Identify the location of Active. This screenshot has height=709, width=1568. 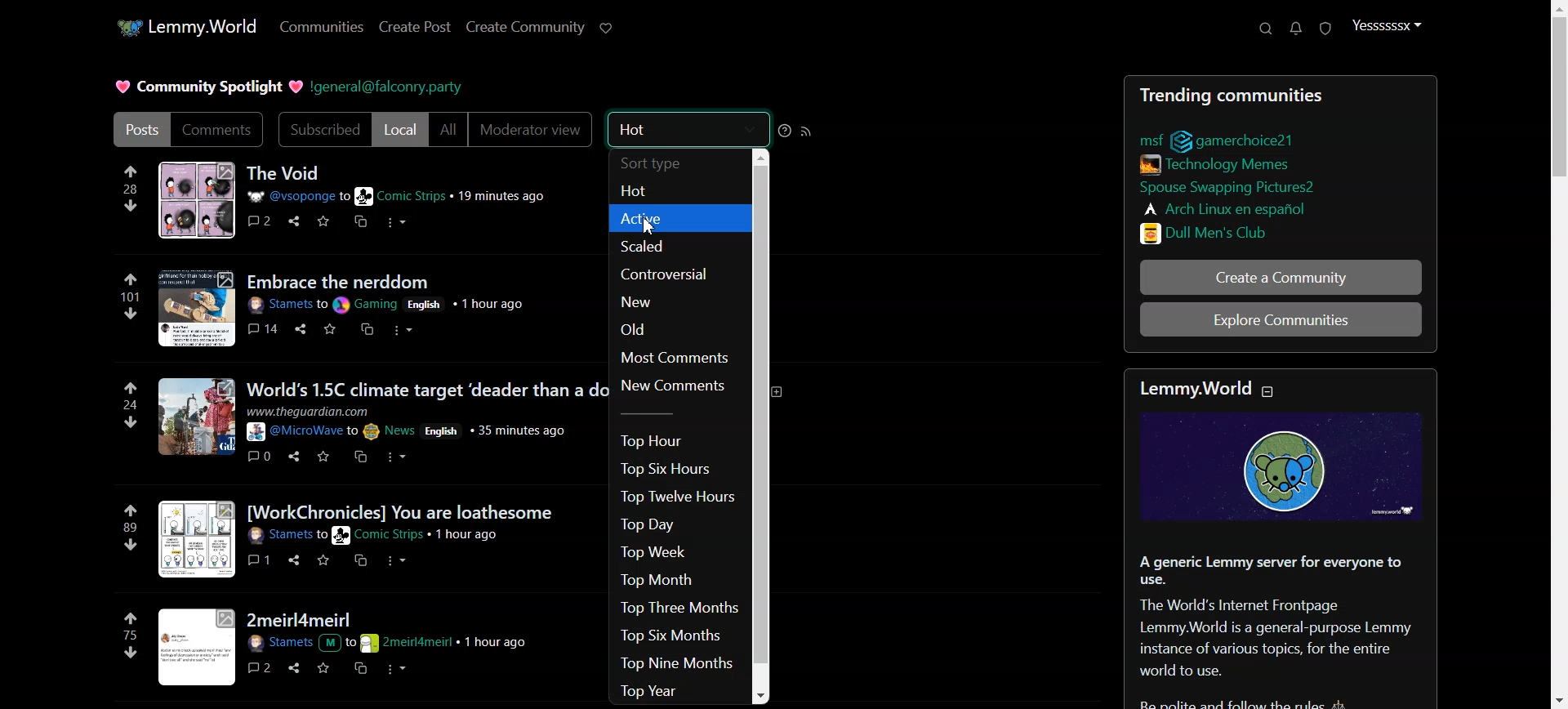
(678, 218).